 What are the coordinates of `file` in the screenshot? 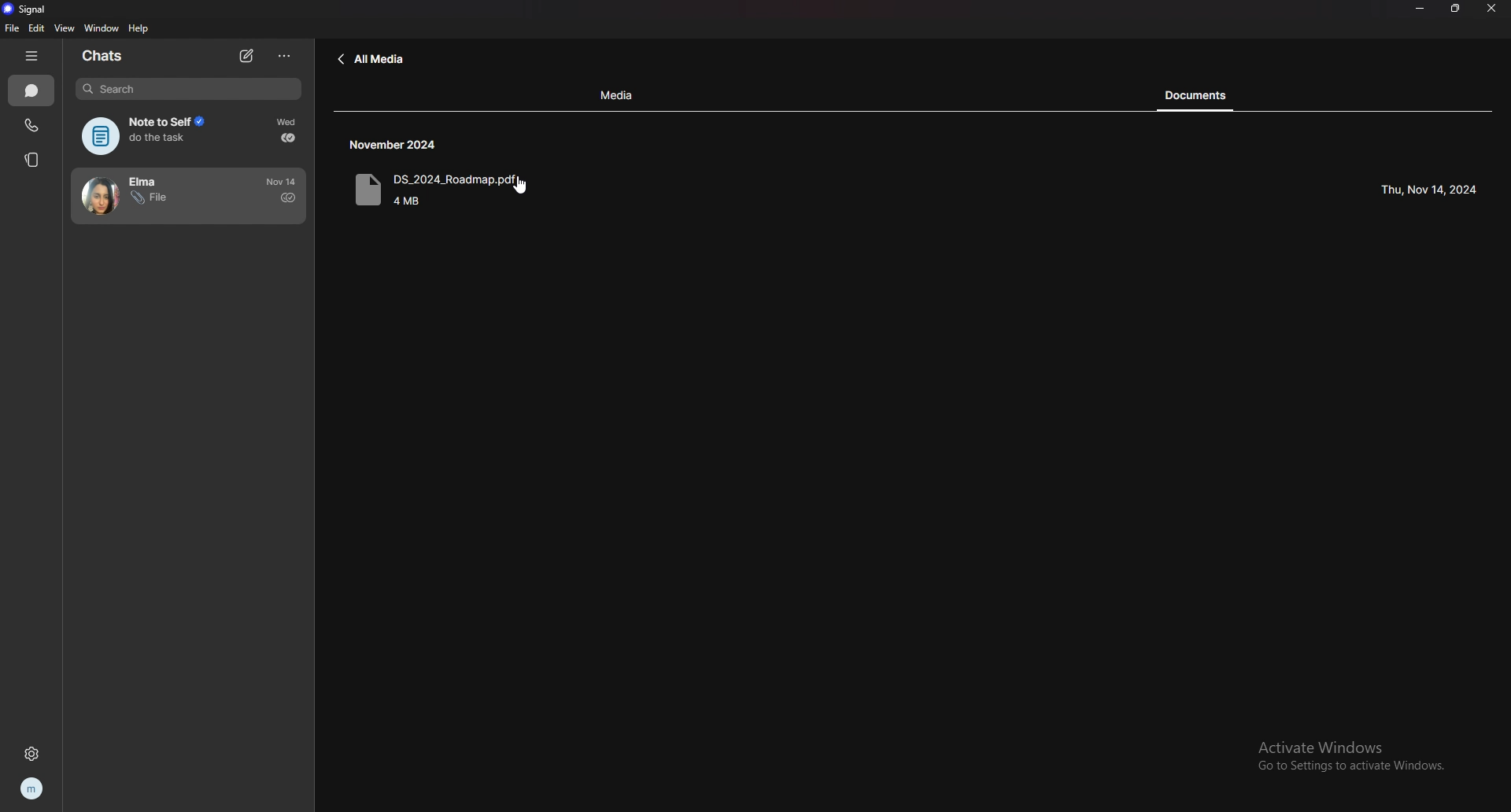 It's located at (12, 28).